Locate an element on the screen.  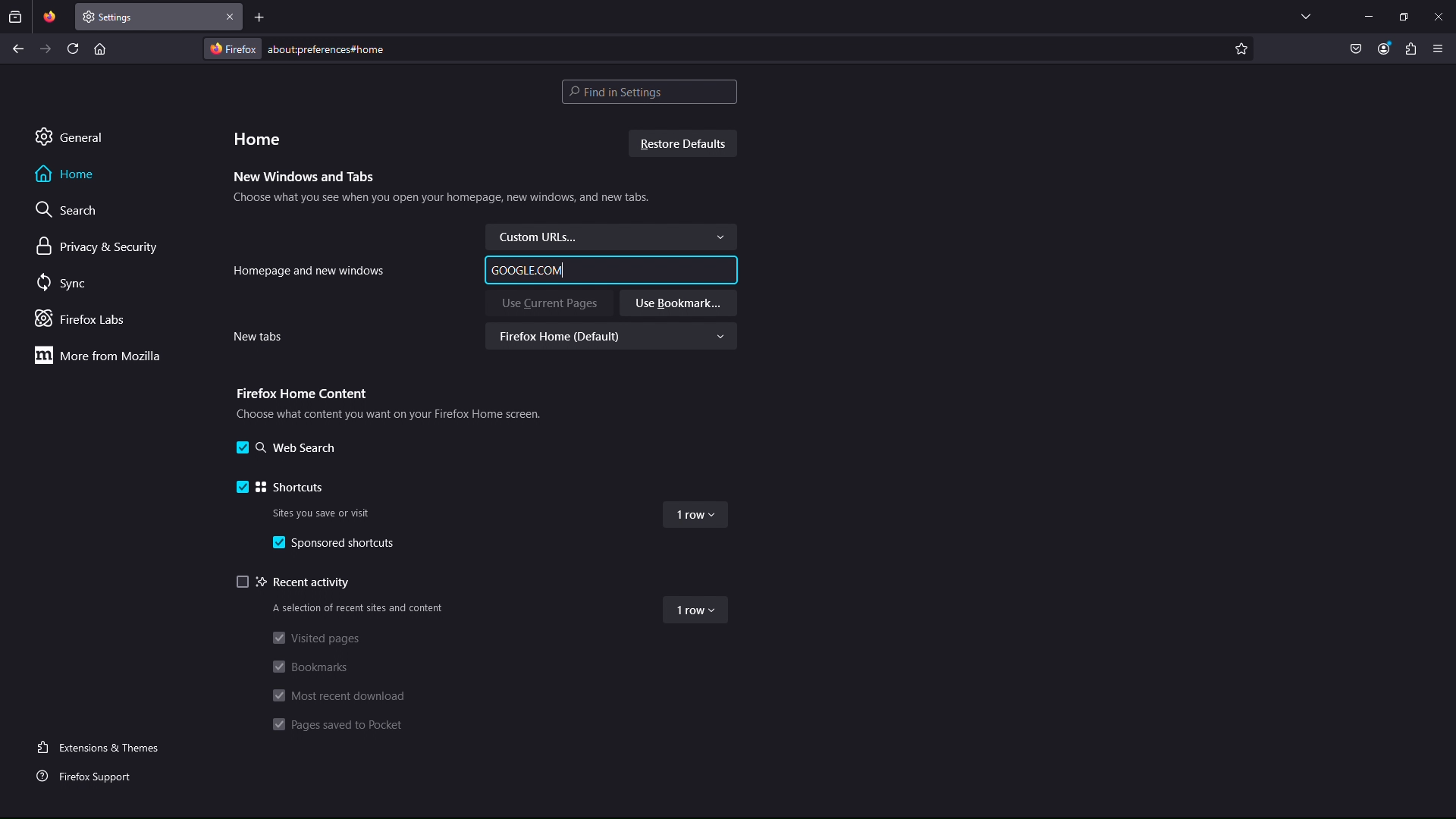
Close is located at coordinates (1438, 16).